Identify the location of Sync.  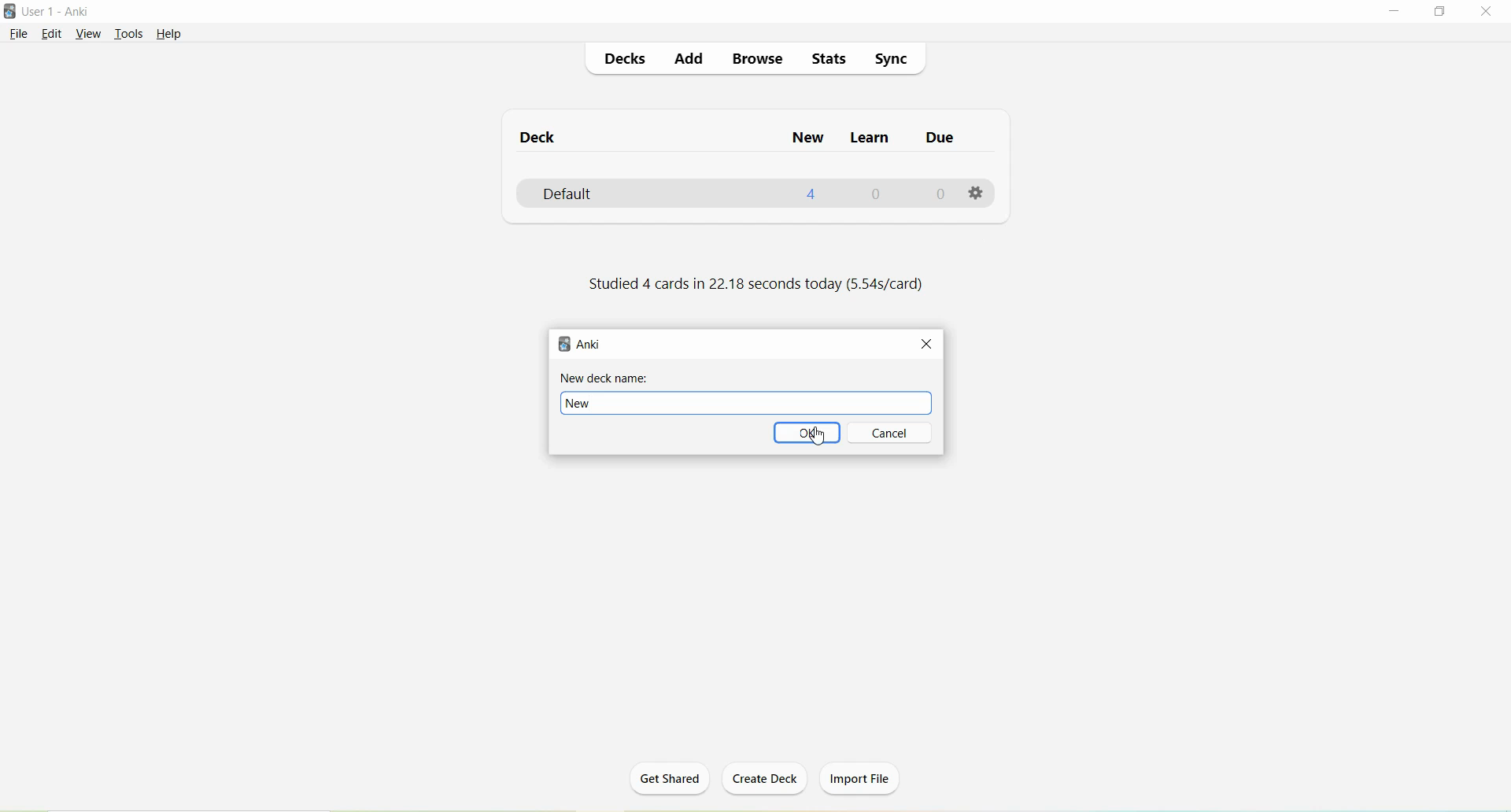
(890, 61).